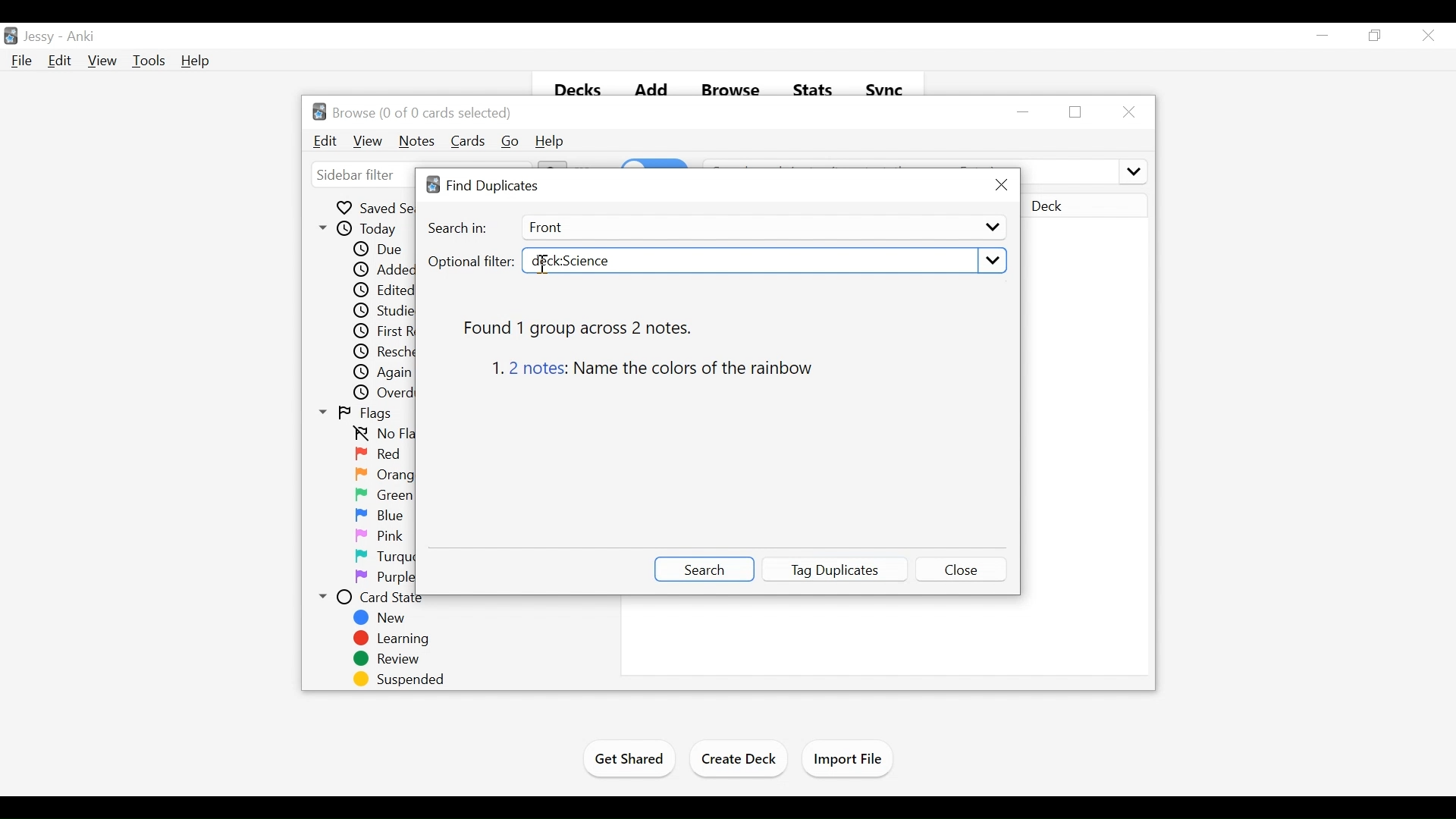 Image resolution: width=1456 pixels, height=819 pixels. Describe the element at coordinates (81, 38) in the screenshot. I see `Anki` at that location.